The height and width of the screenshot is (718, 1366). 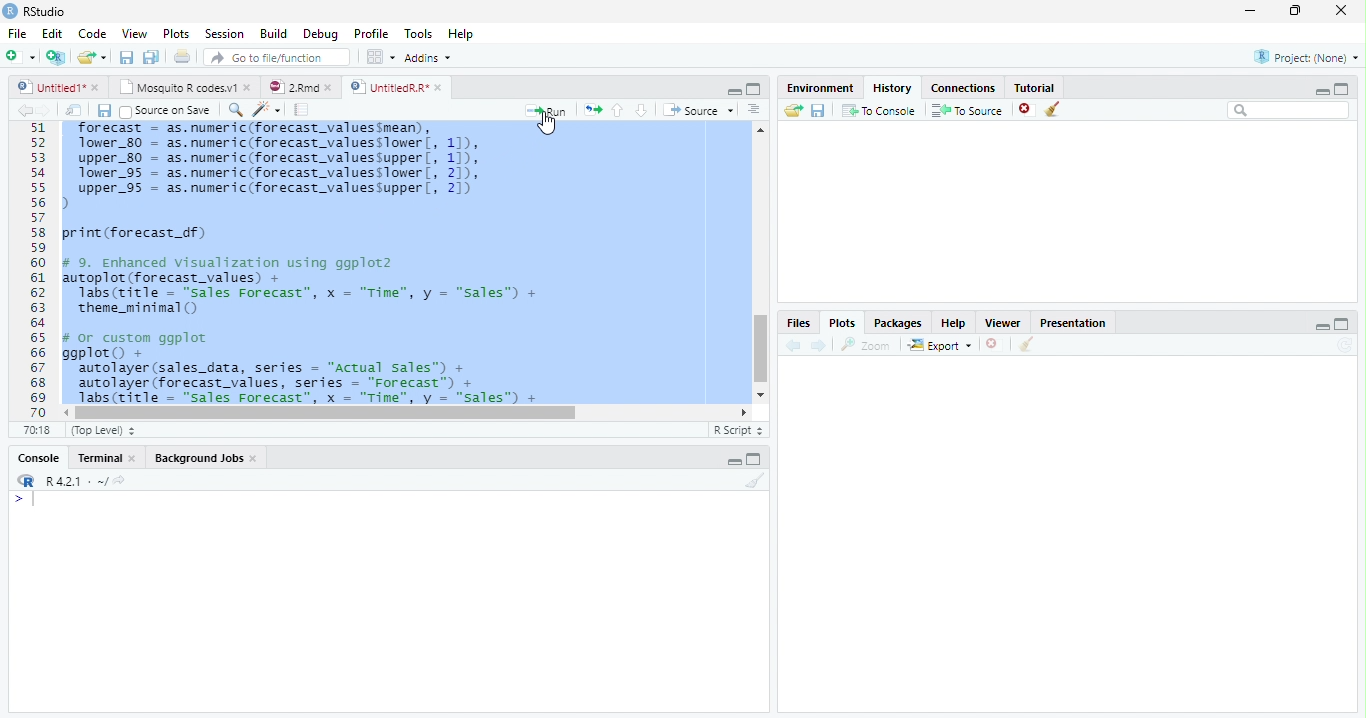 What do you see at coordinates (32, 269) in the screenshot?
I see `Row number` at bounding box center [32, 269].